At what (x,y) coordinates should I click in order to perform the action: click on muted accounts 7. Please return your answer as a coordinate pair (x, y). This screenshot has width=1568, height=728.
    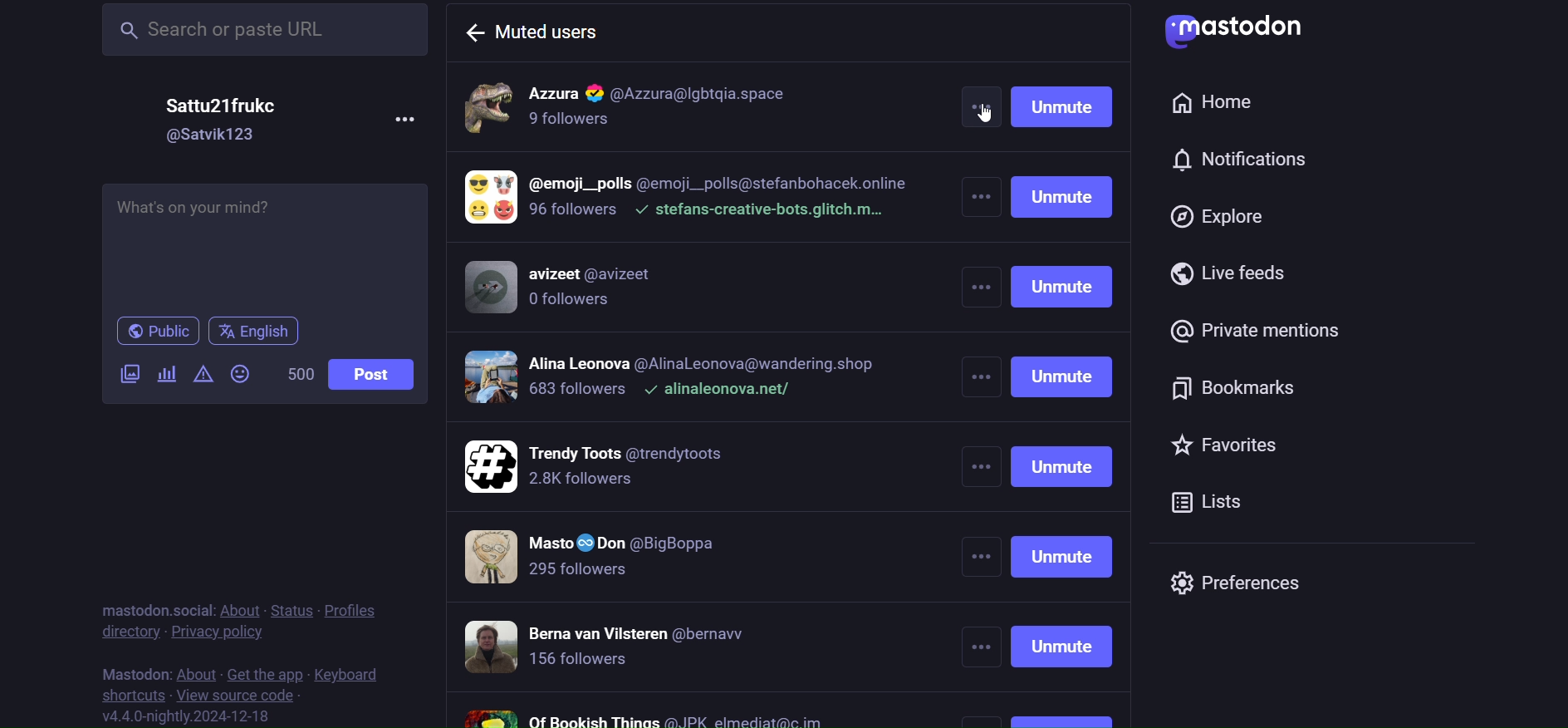
    Looking at the image, I should click on (615, 645).